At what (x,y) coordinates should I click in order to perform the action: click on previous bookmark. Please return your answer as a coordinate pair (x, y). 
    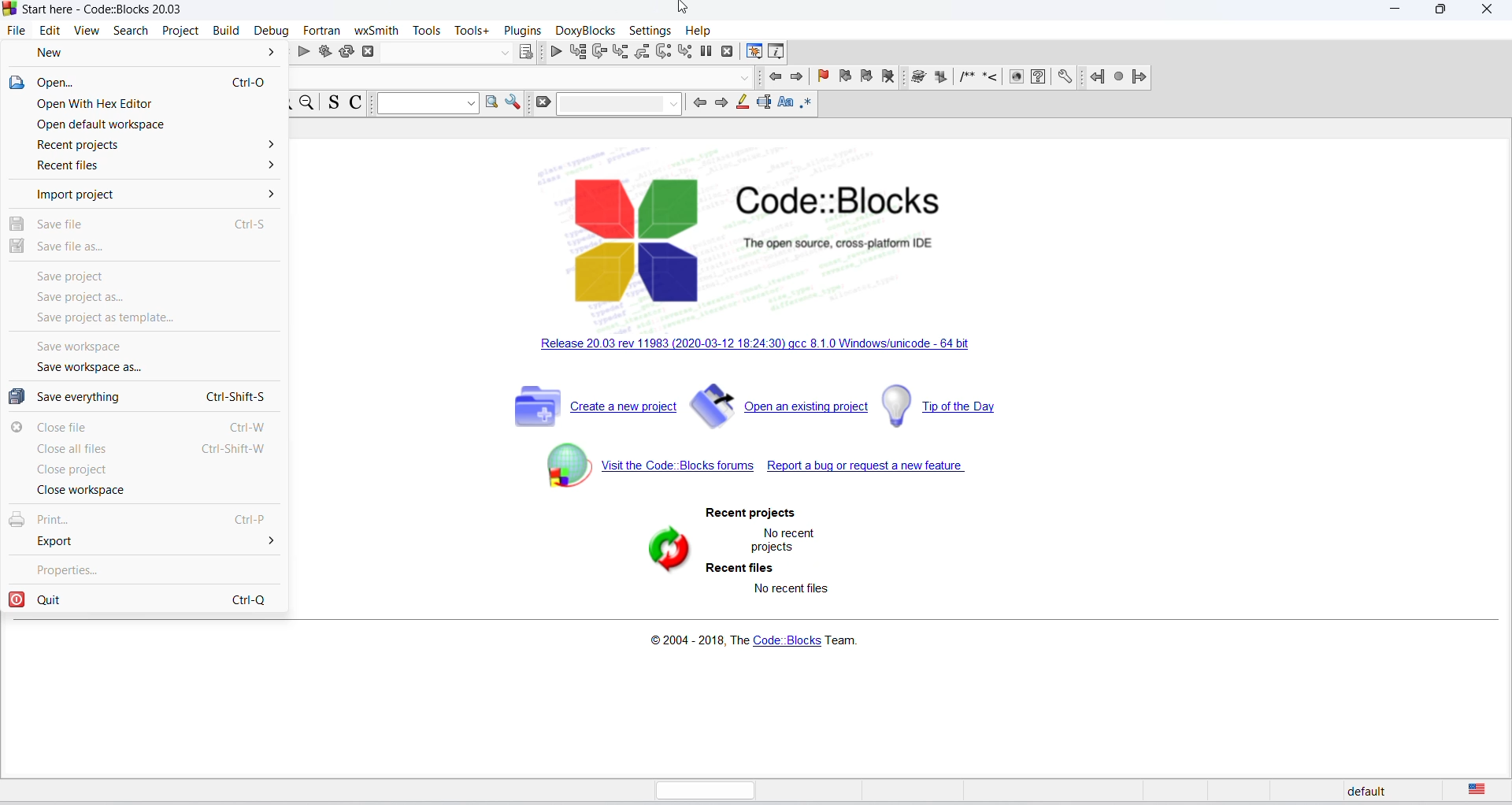
    Looking at the image, I should click on (844, 78).